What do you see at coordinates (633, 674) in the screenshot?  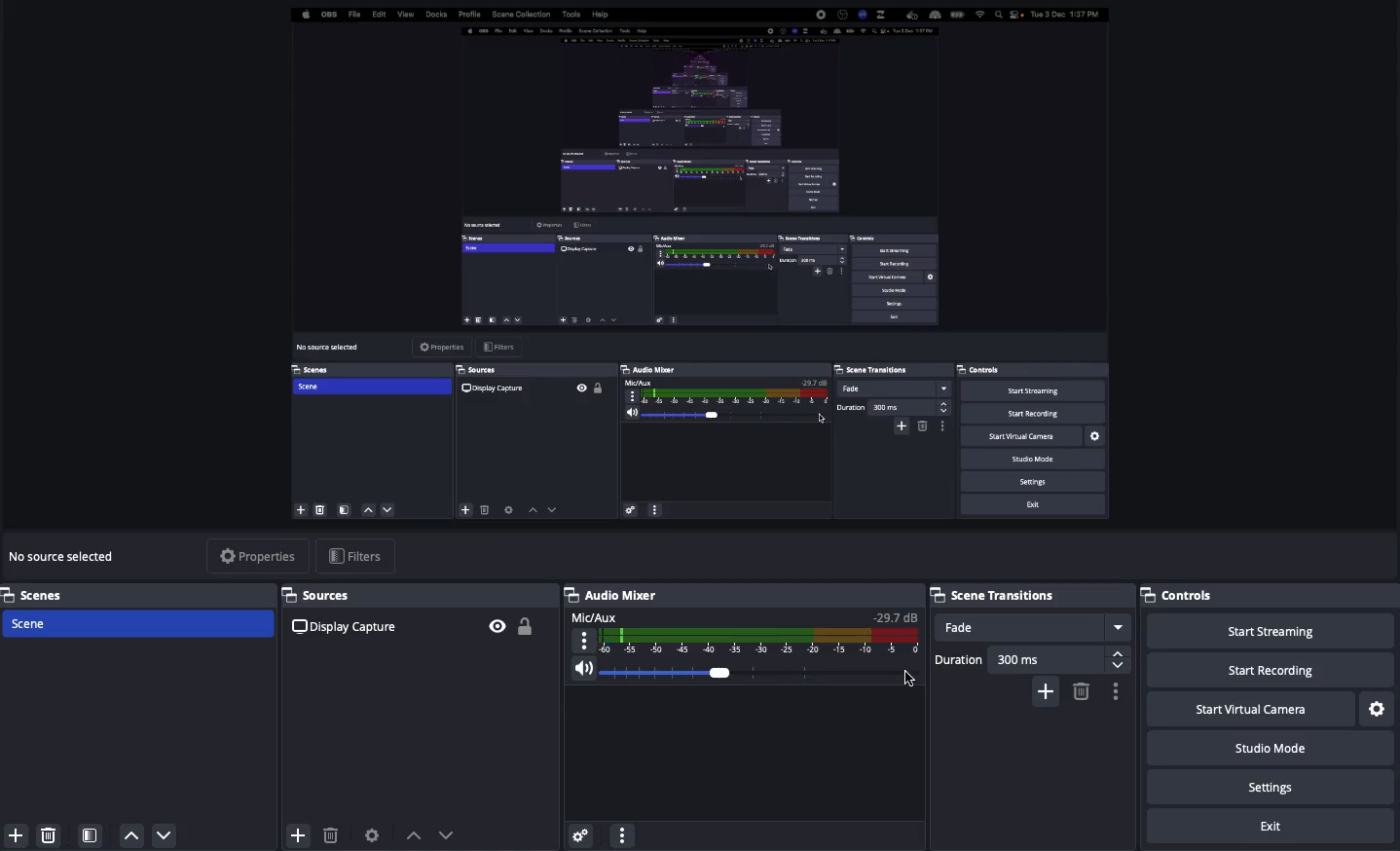 I see `Volume` at bounding box center [633, 674].